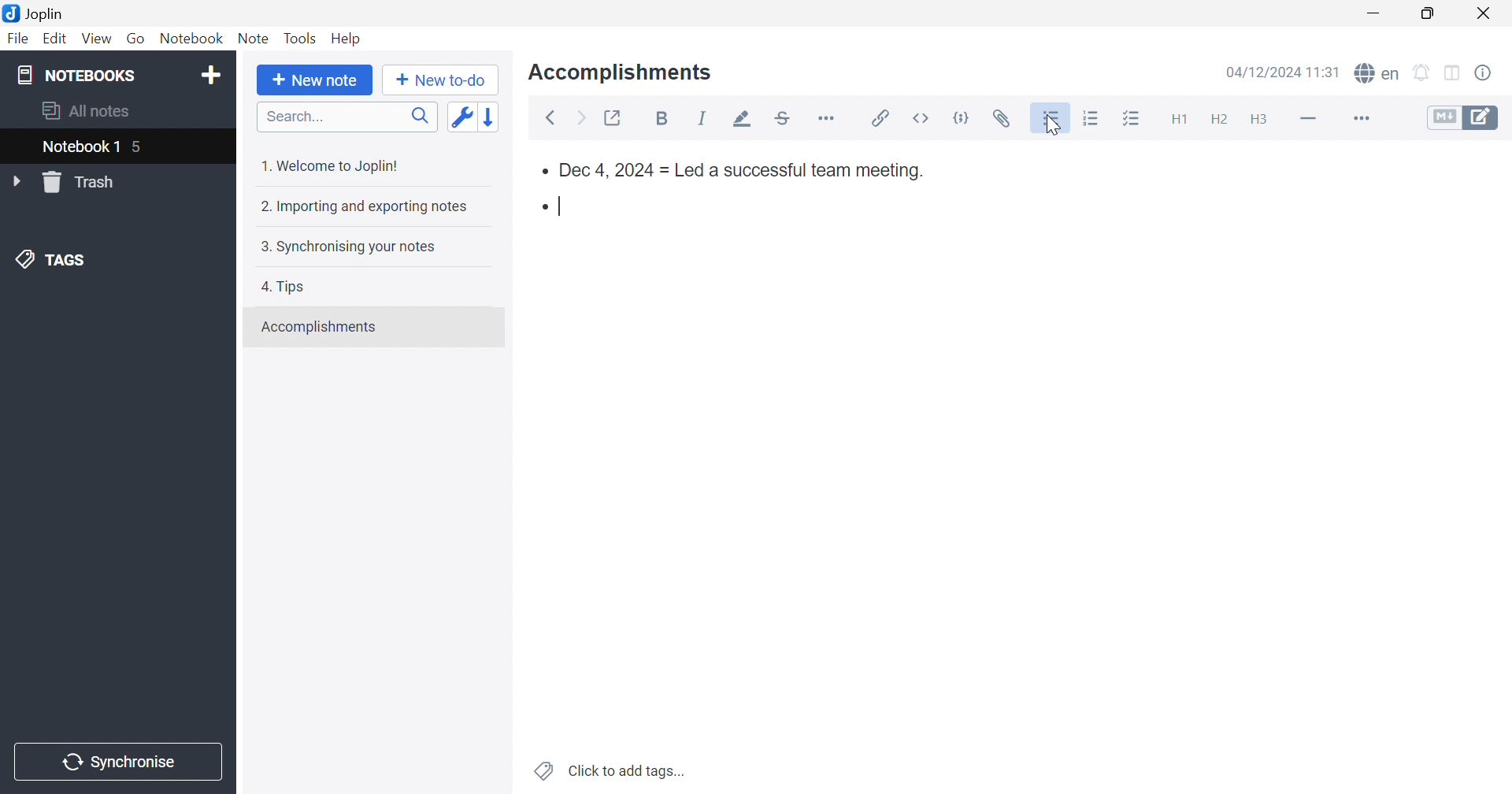 The image size is (1512, 794). I want to click on Toggle external editing, so click(612, 117).